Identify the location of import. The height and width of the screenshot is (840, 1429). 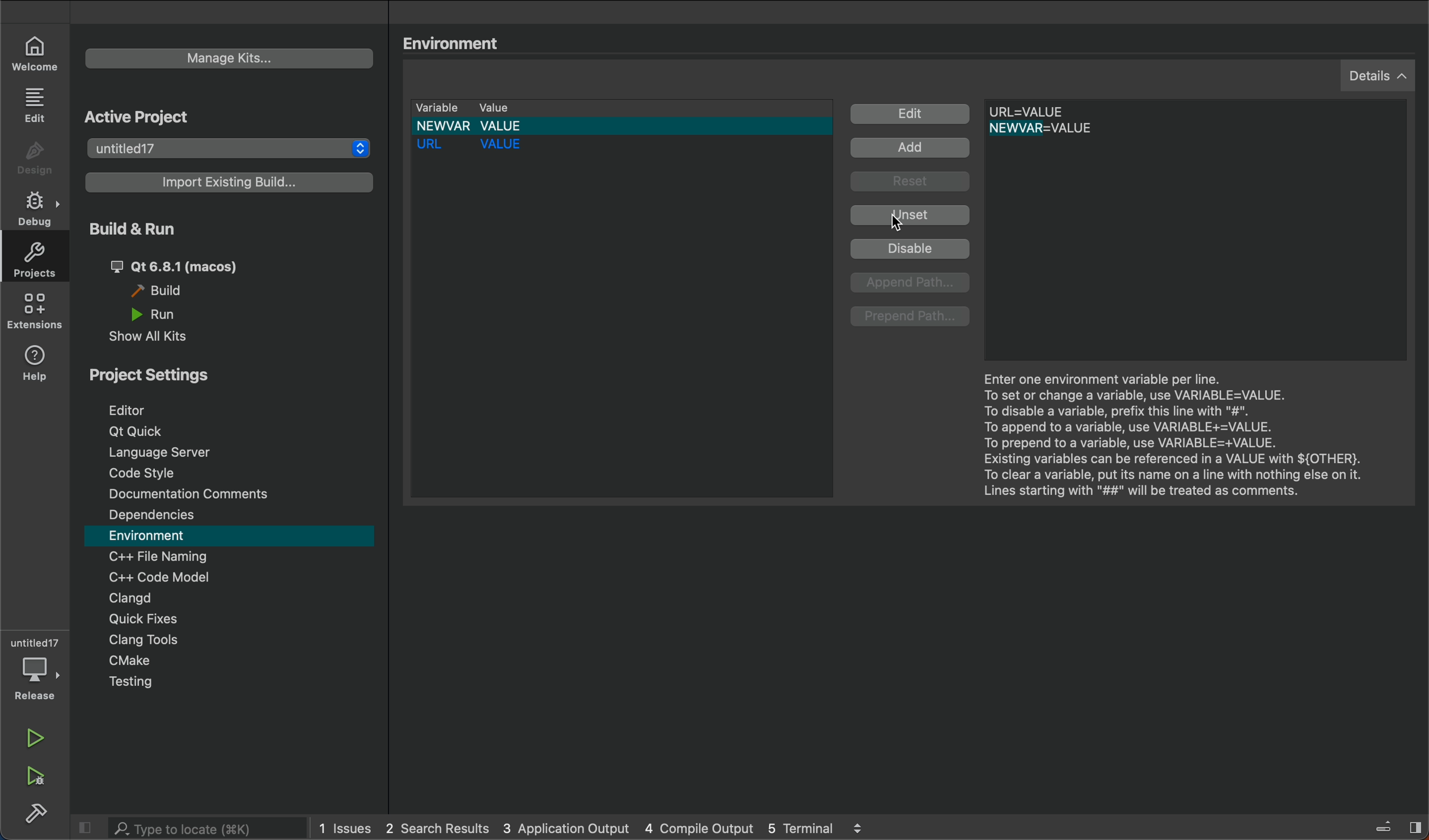
(228, 186).